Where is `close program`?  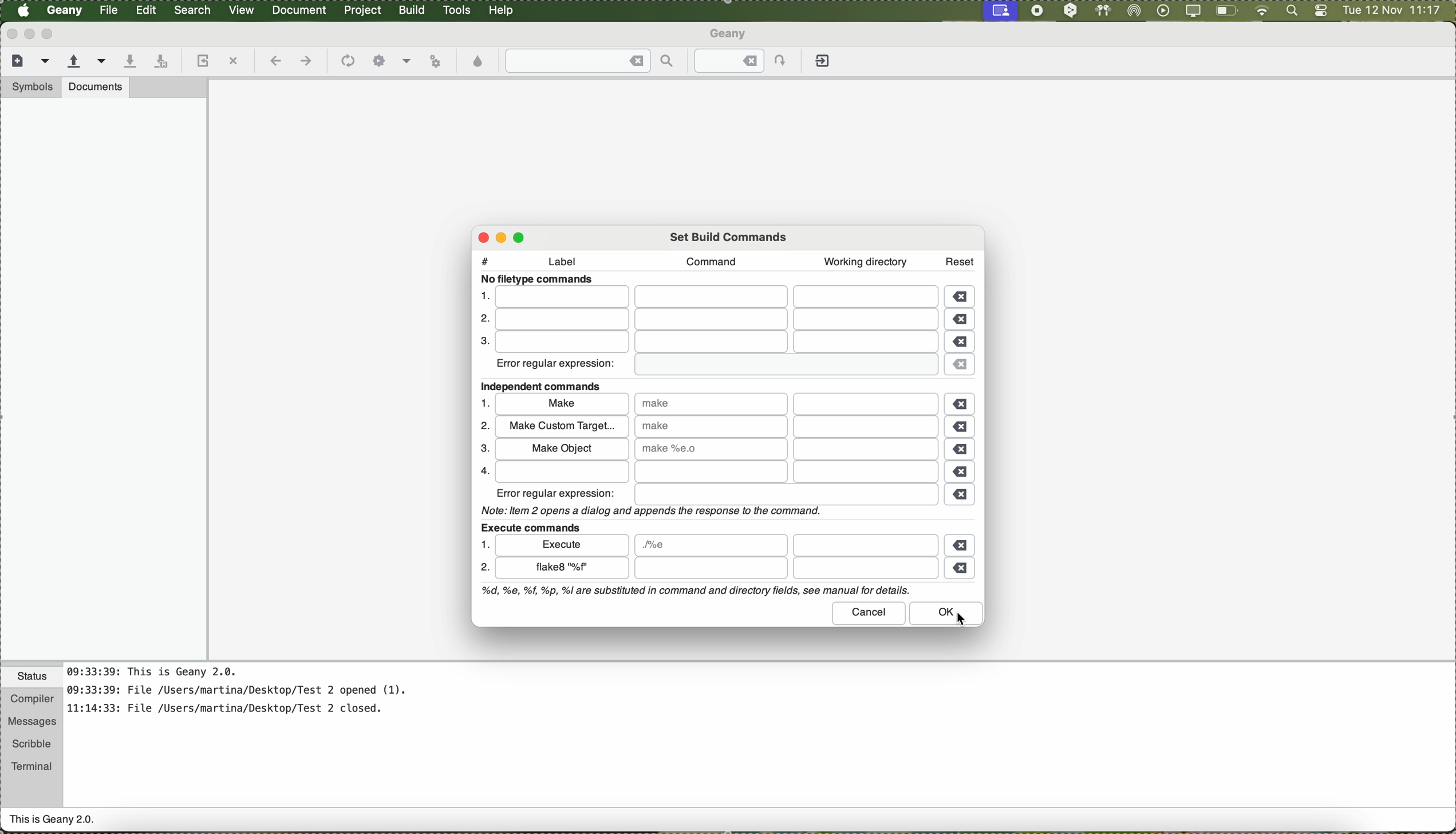 close program is located at coordinates (10, 33).